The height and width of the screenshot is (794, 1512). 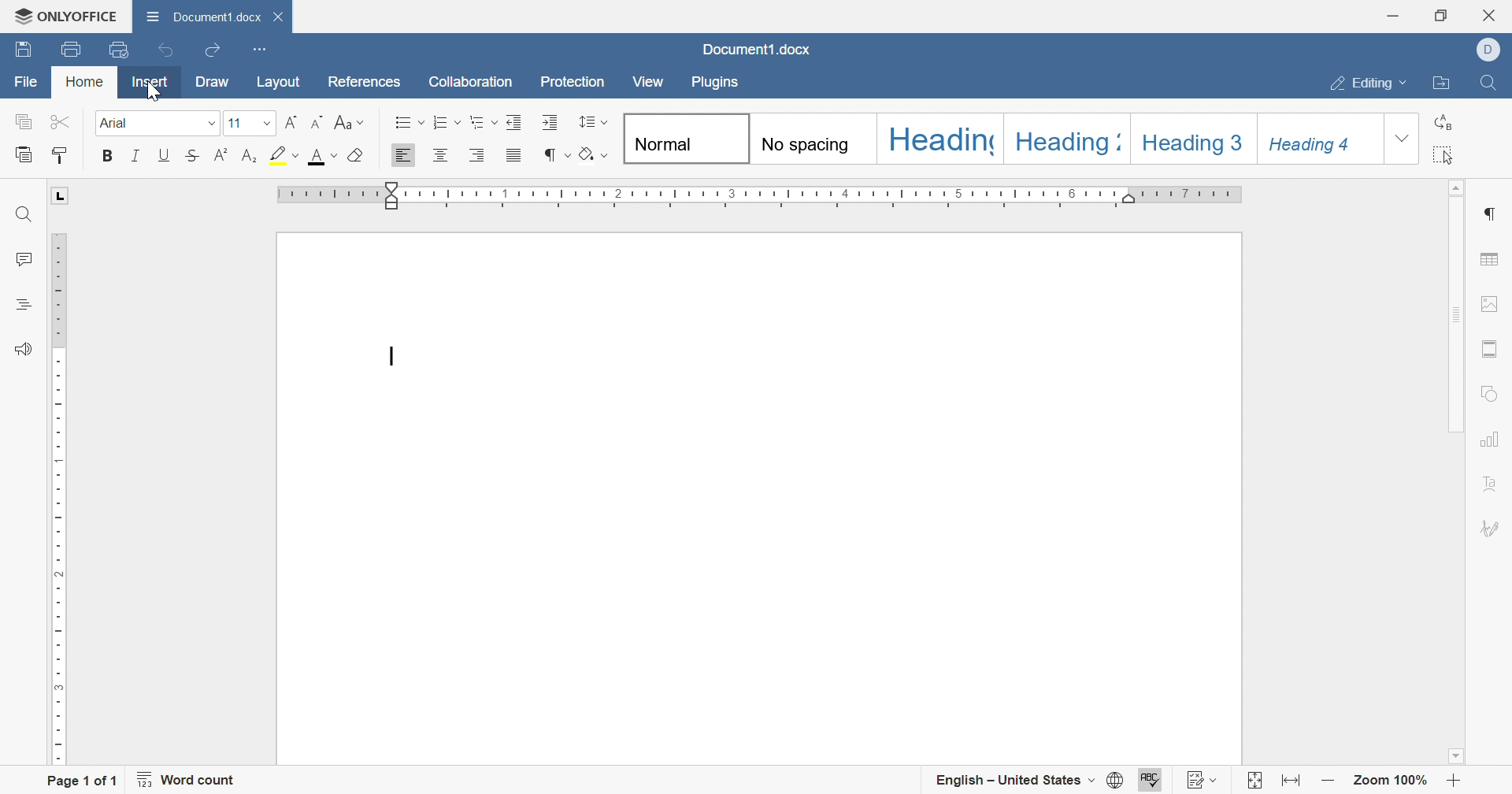 I want to click on Home, so click(x=86, y=82).